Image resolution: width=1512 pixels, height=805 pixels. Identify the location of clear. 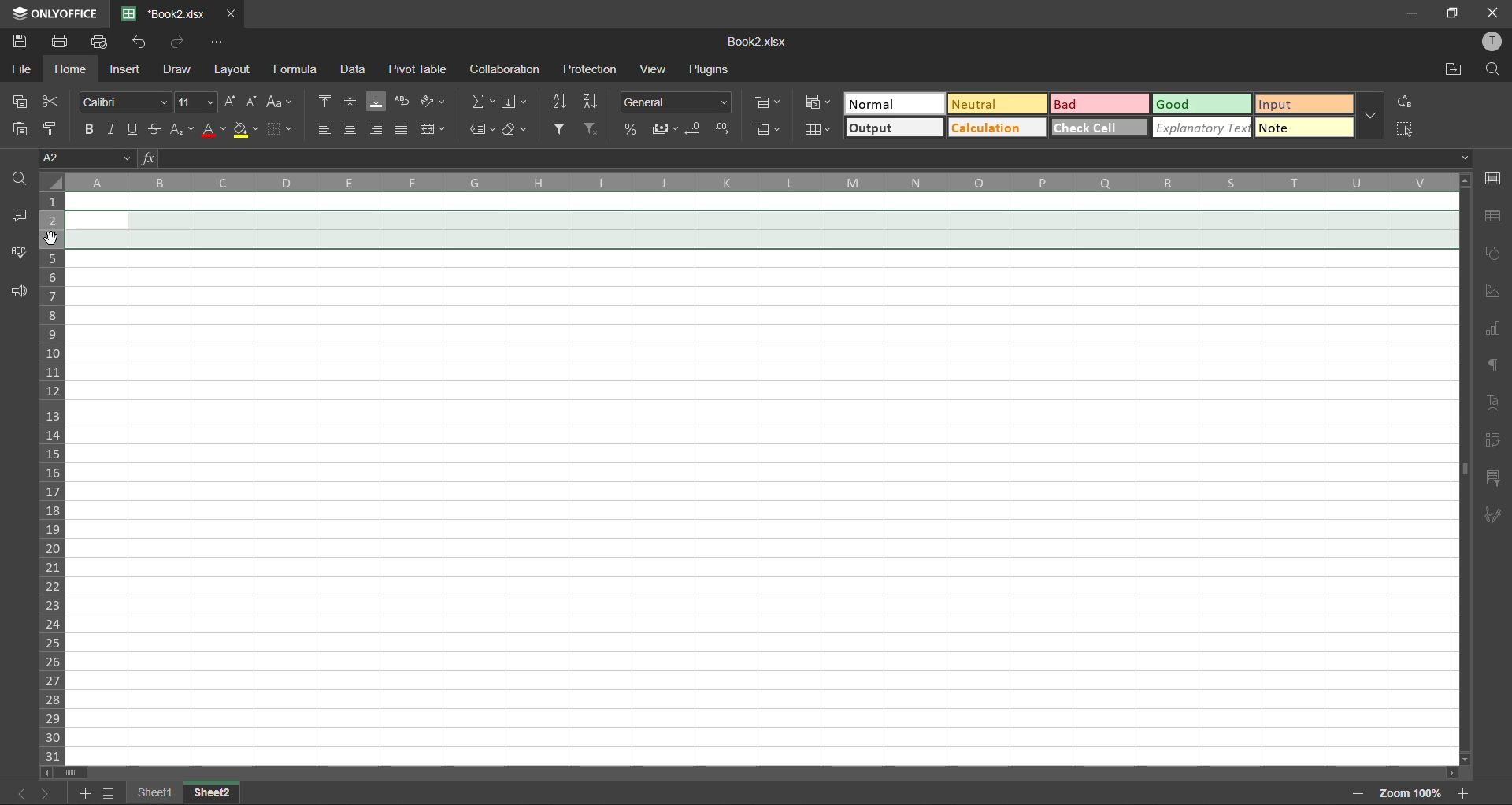
(517, 129).